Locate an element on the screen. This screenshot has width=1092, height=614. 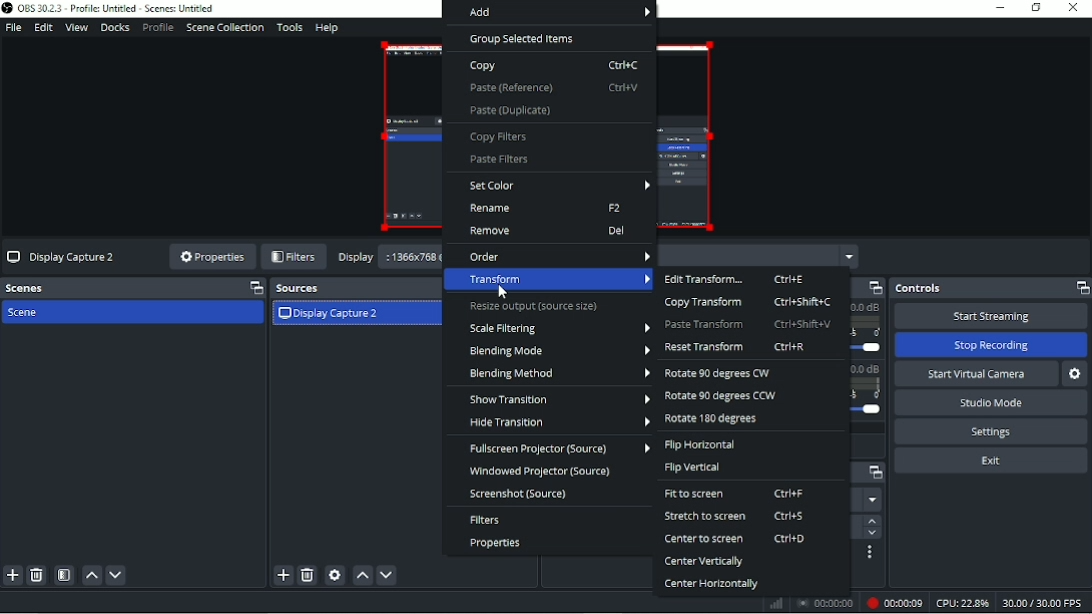
Move source(s) up is located at coordinates (363, 575).